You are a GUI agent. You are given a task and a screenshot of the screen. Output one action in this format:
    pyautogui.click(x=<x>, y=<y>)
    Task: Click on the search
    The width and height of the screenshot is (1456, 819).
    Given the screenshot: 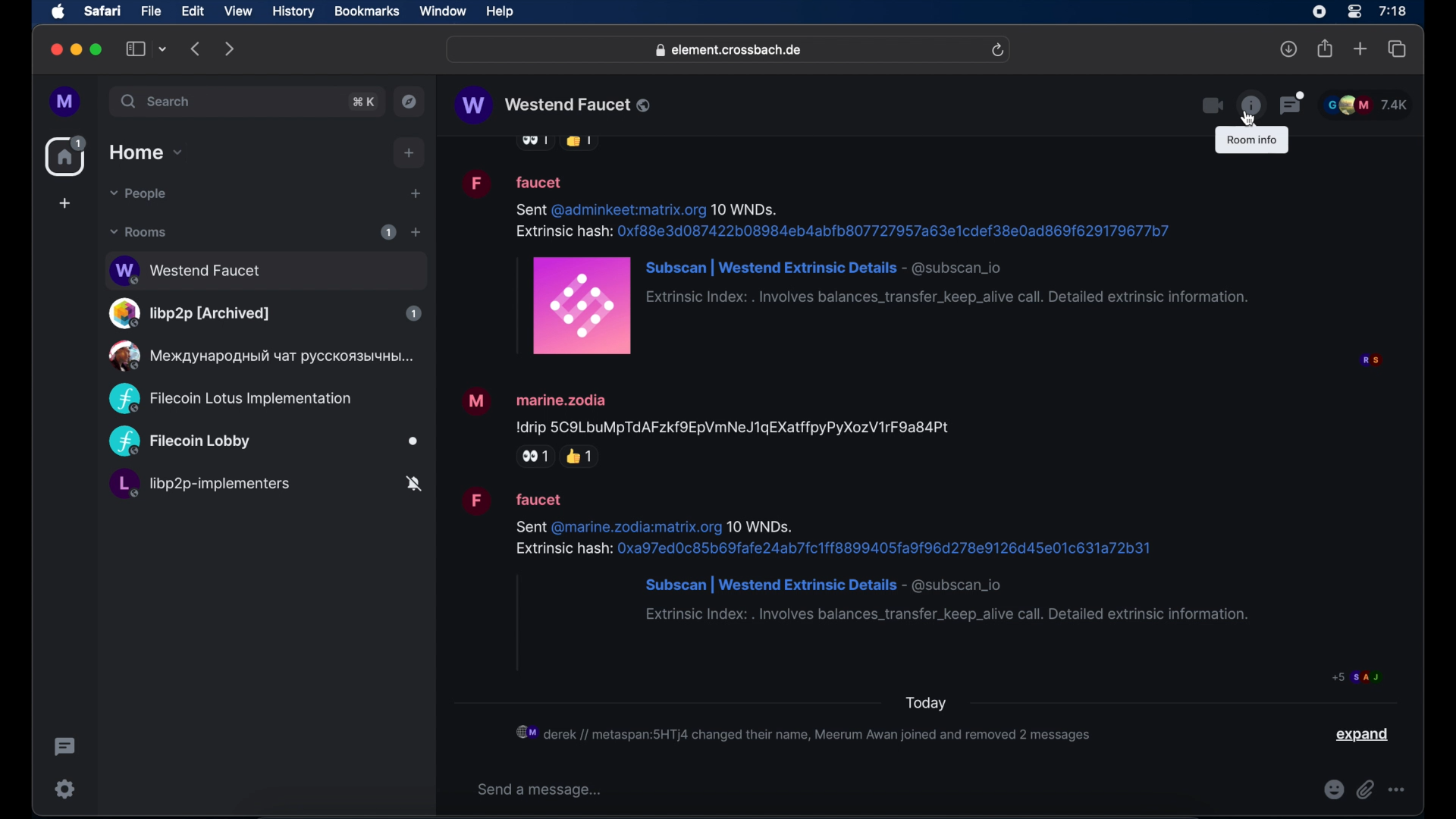 What is the action you would take?
    pyautogui.click(x=157, y=101)
    